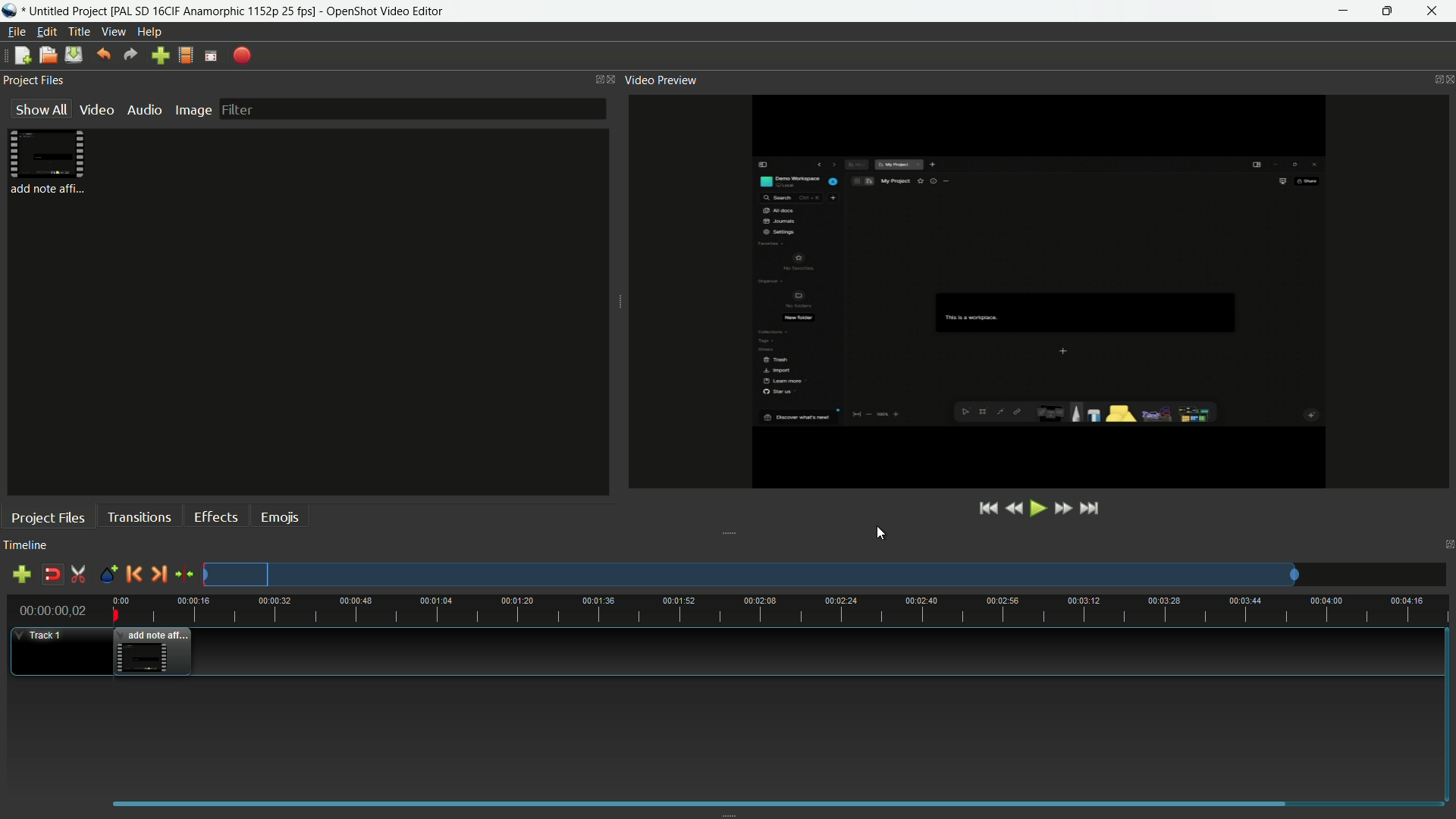 This screenshot has width=1456, height=819. Describe the element at coordinates (242, 56) in the screenshot. I see `export` at that location.